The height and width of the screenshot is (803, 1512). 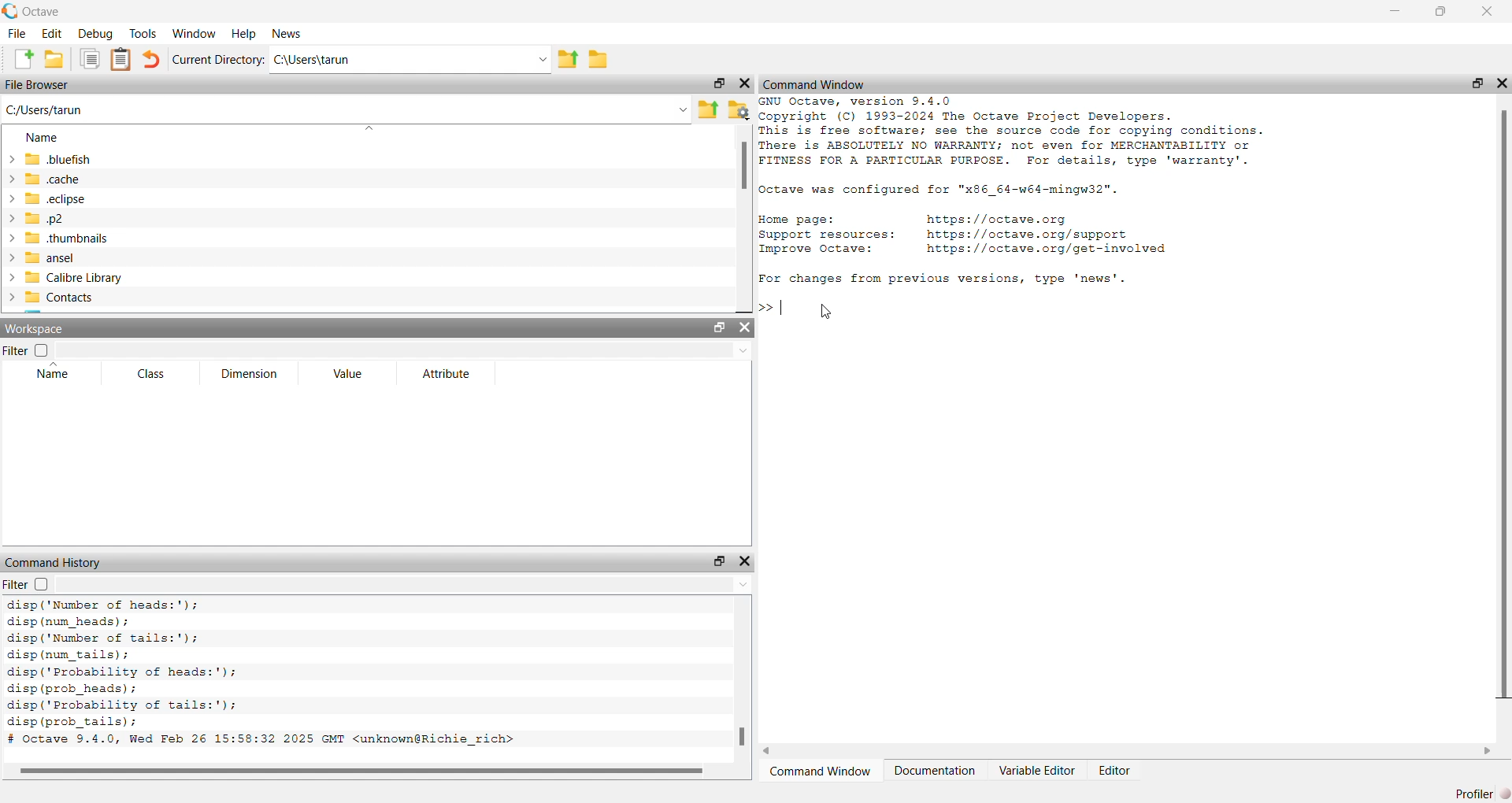 I want to click on Calibre Library, so click(x=74, y=278).